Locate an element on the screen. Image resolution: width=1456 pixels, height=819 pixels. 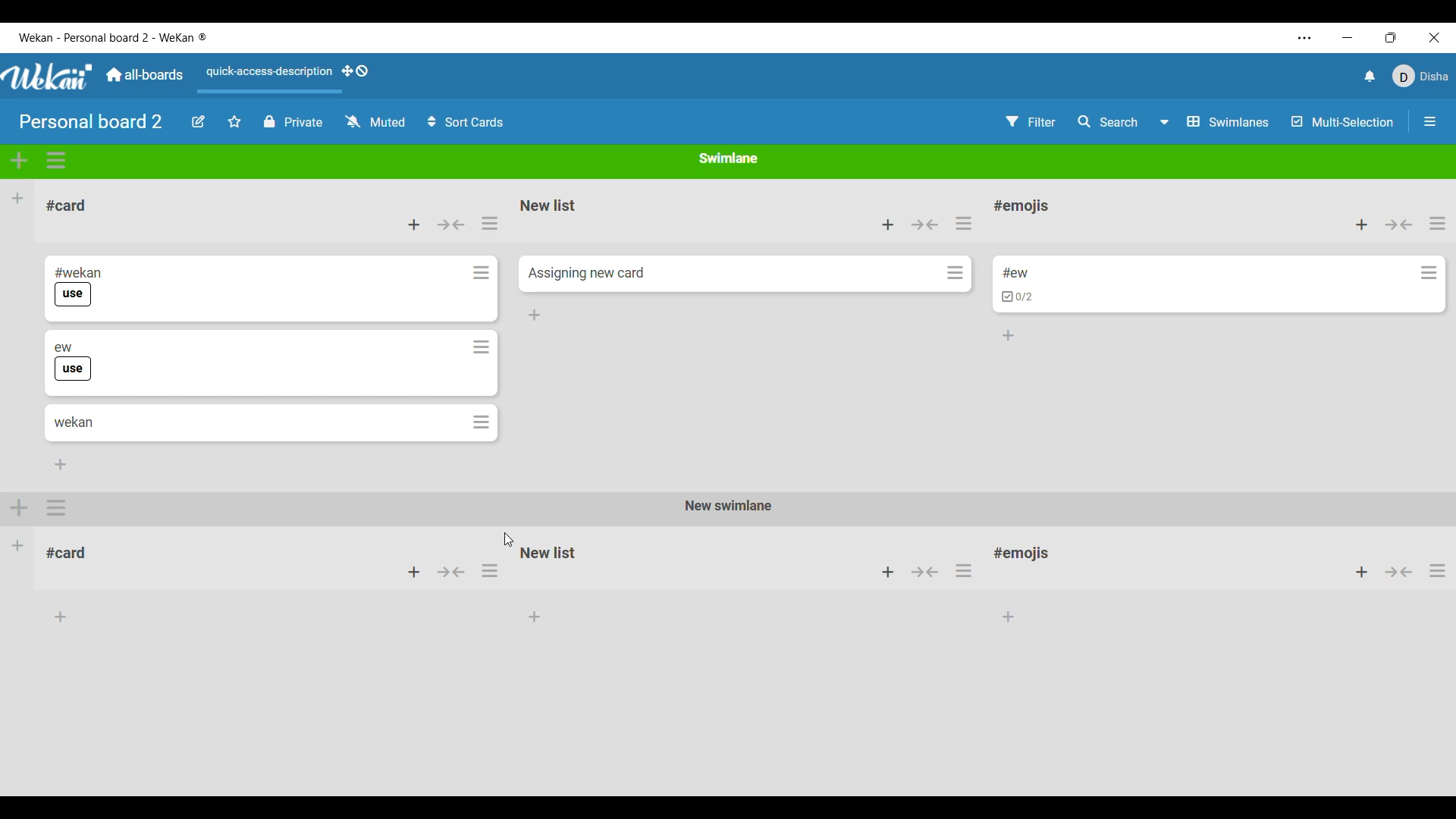
button is located at coordinates (456, 575).